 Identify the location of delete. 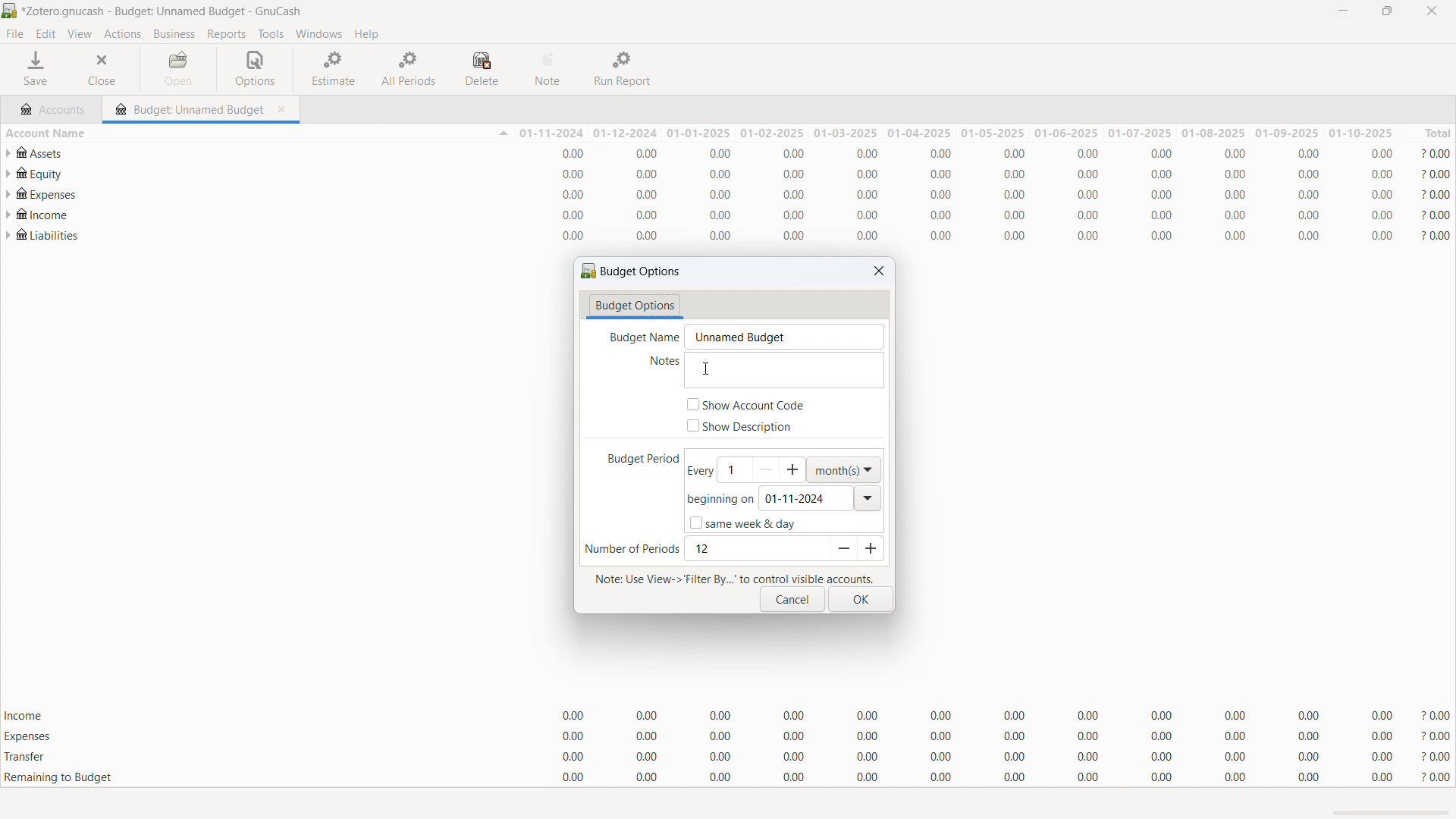
(485, 69).